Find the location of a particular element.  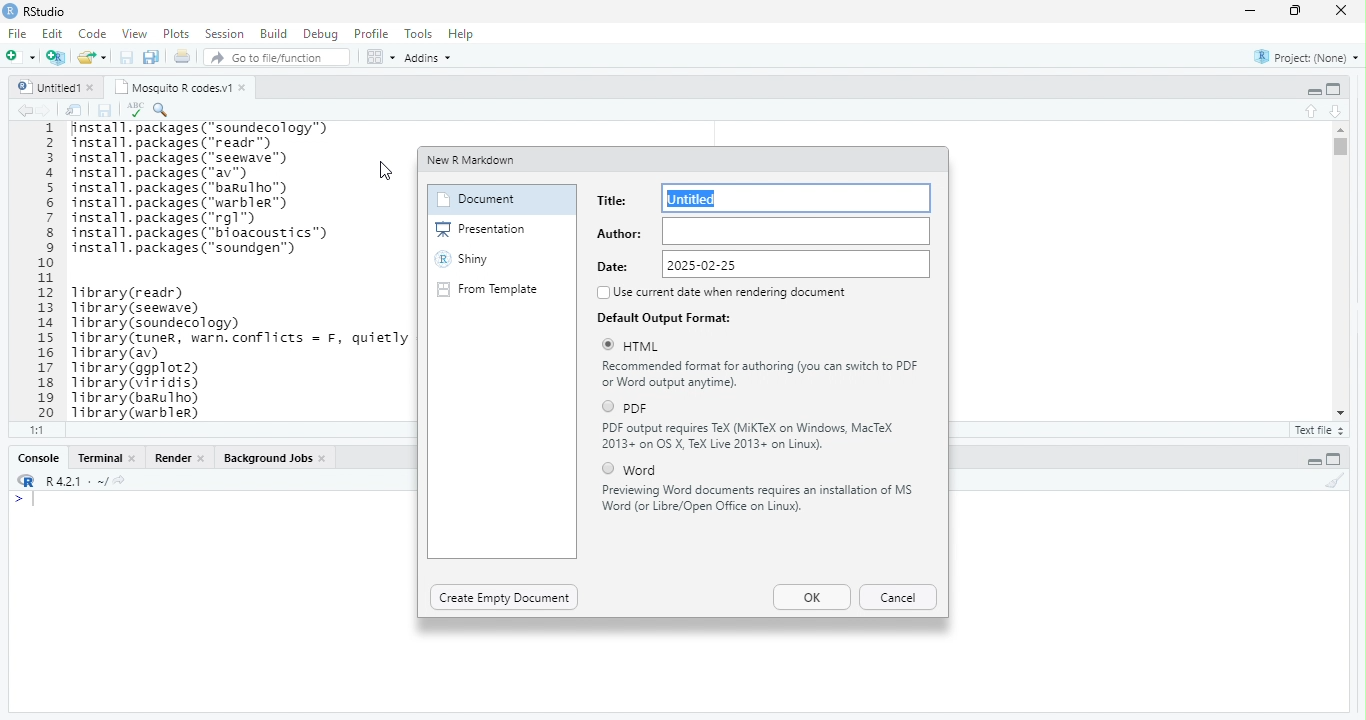

close is located at coordinates (244, 88).